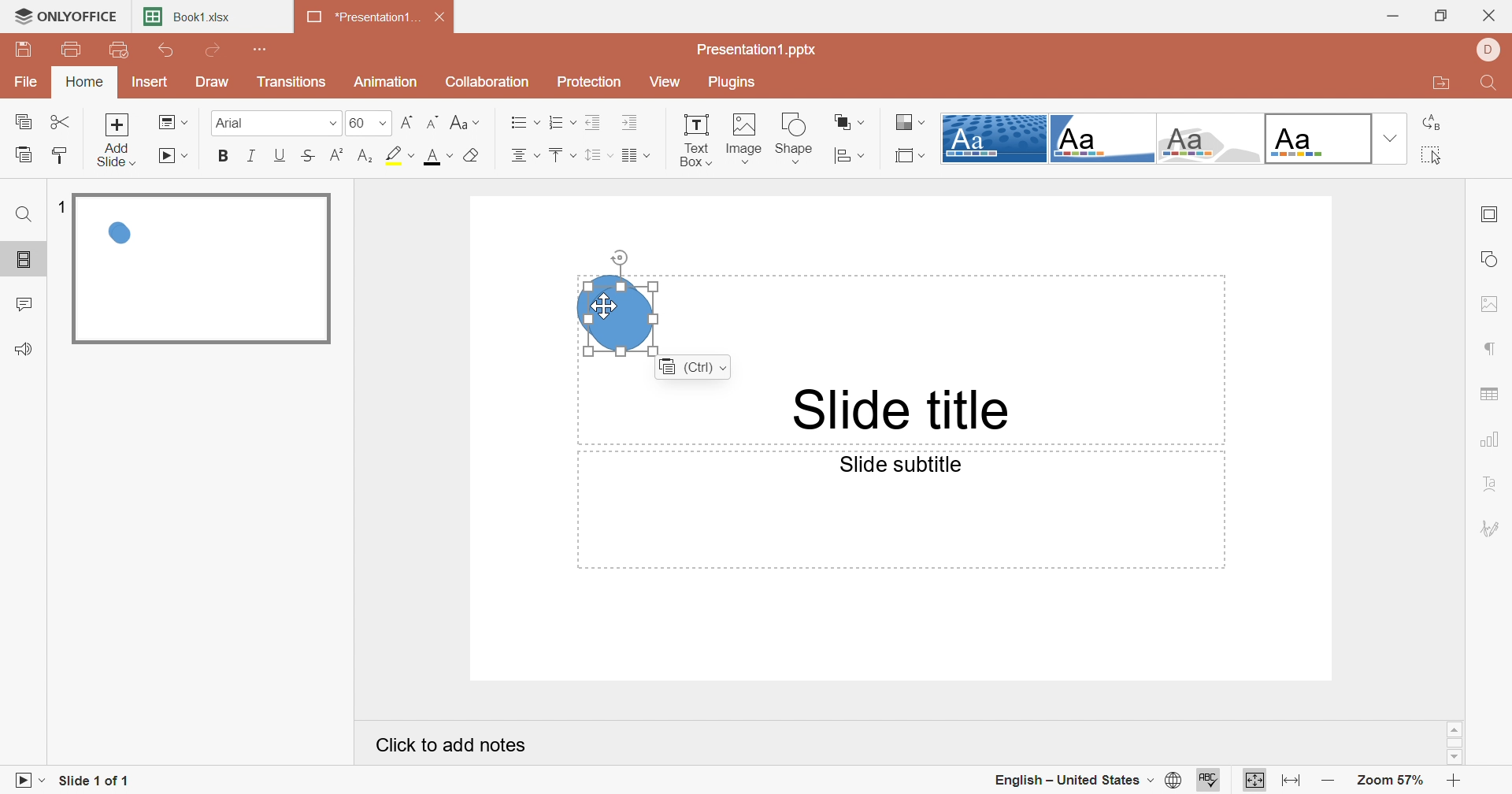 The image size is (1512, 794). Describe the element at coordinates (851, 156) in the screenshot. I see `Align shape` at that location.